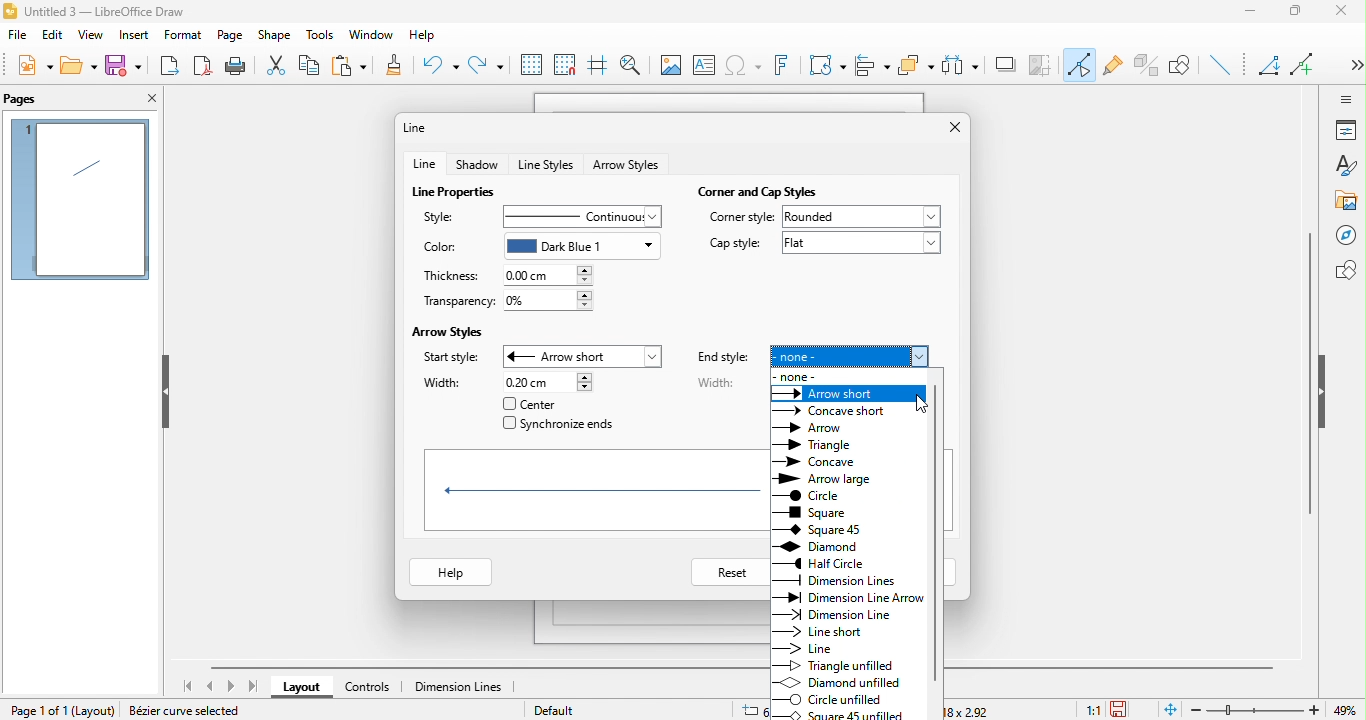  I want to click on none, so click(854, 354).